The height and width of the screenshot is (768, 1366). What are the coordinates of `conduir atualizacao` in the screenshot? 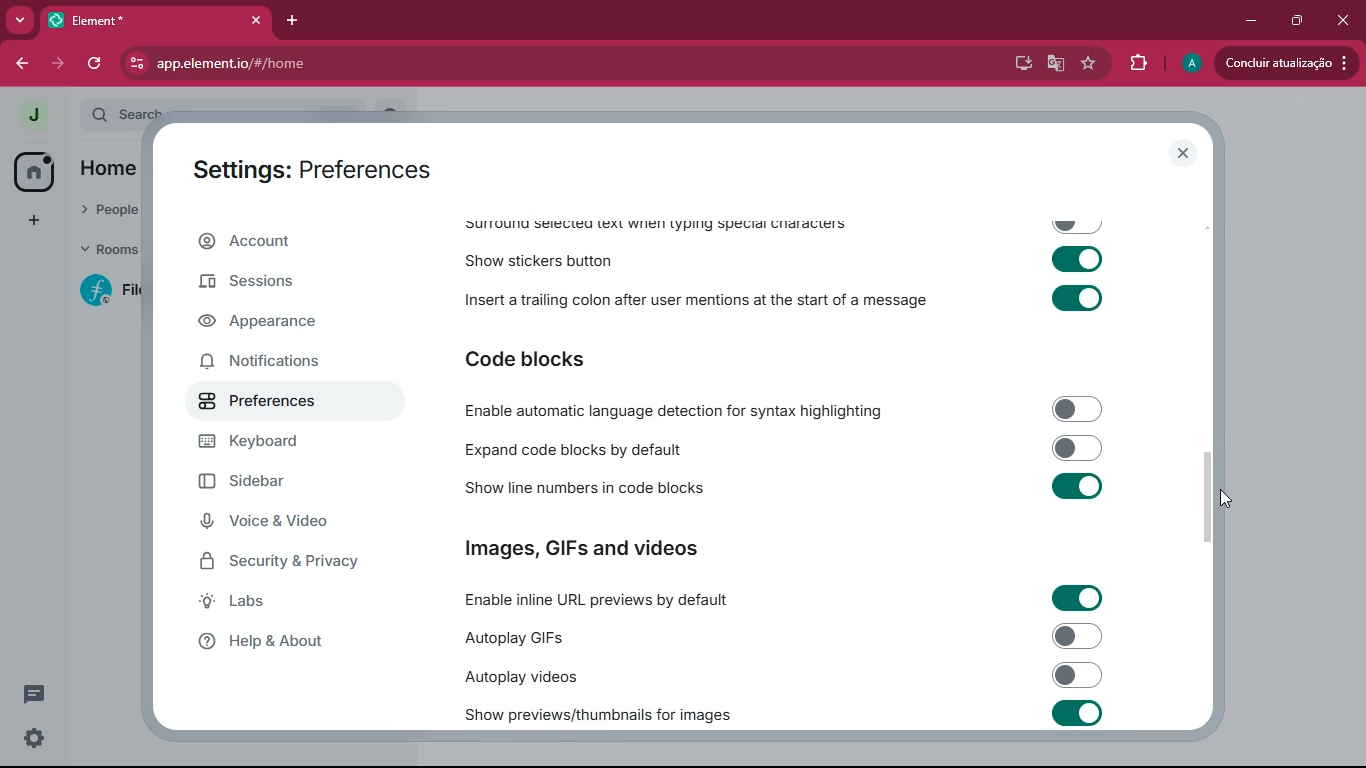 It's located at (1287, 63).